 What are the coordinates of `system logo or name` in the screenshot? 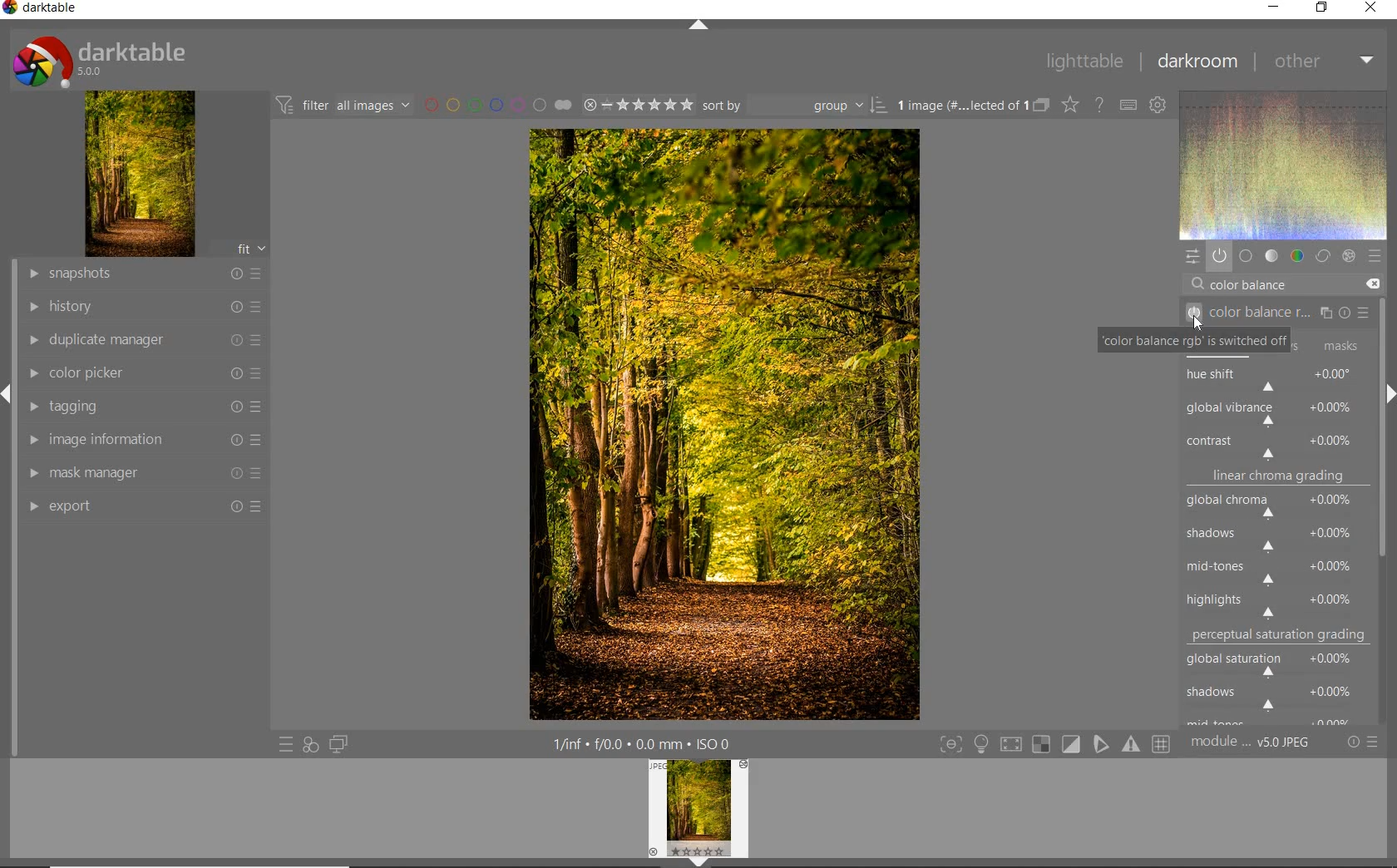 It's located at (106, 60).